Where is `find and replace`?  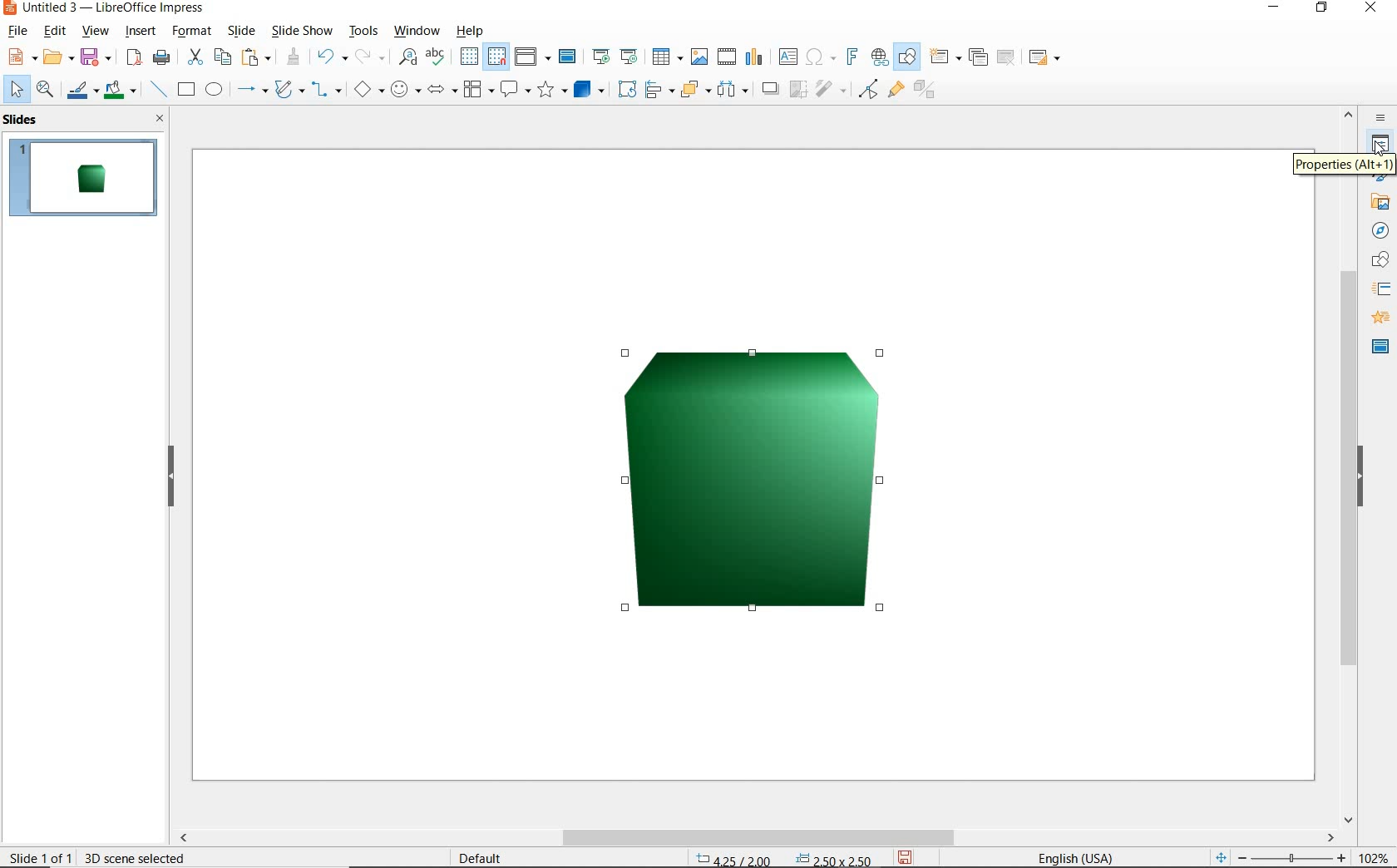
find and replace is located at coordinates (406, 57).